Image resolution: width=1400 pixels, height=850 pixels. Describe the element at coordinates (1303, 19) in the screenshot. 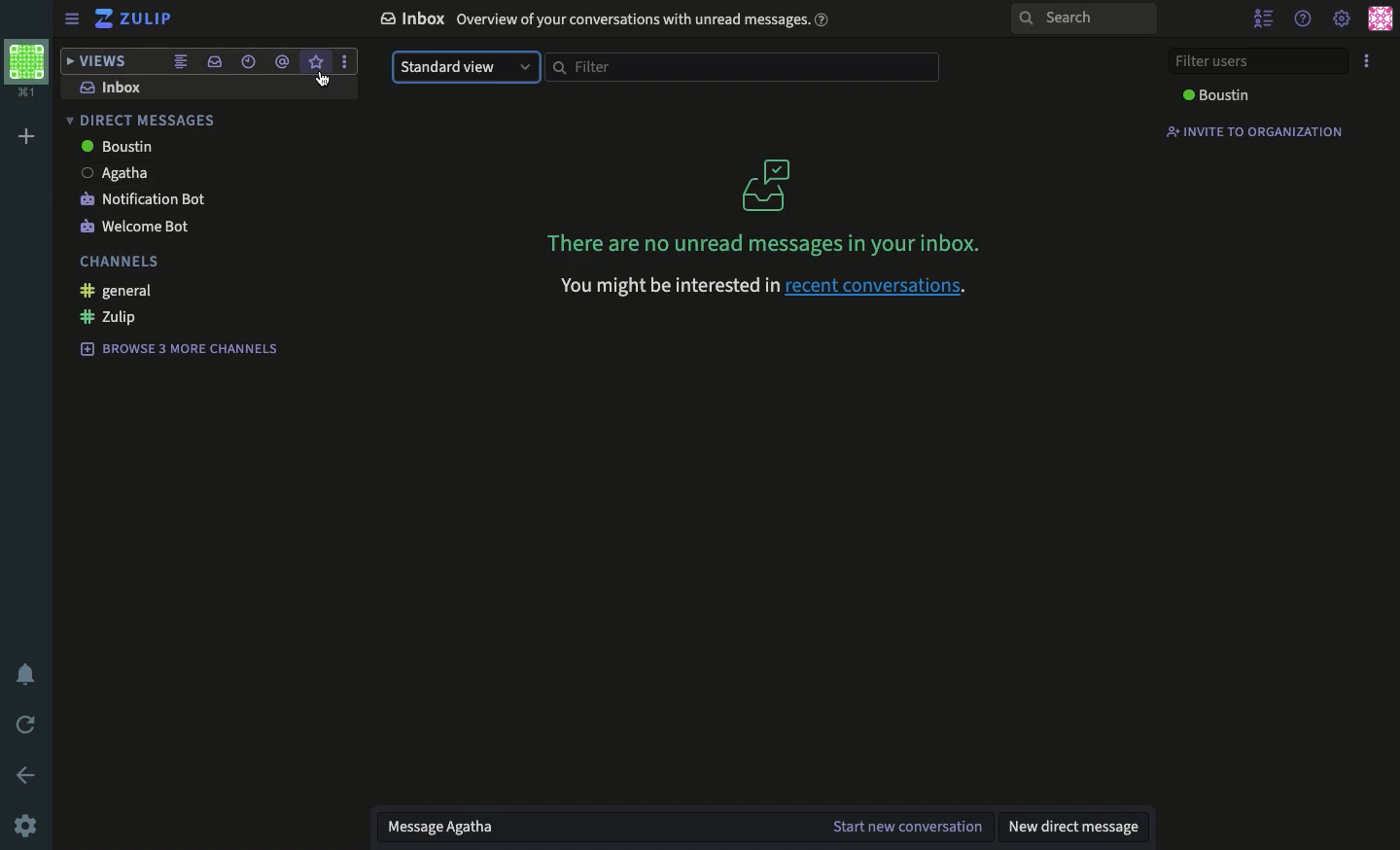

I see `help` at that location.